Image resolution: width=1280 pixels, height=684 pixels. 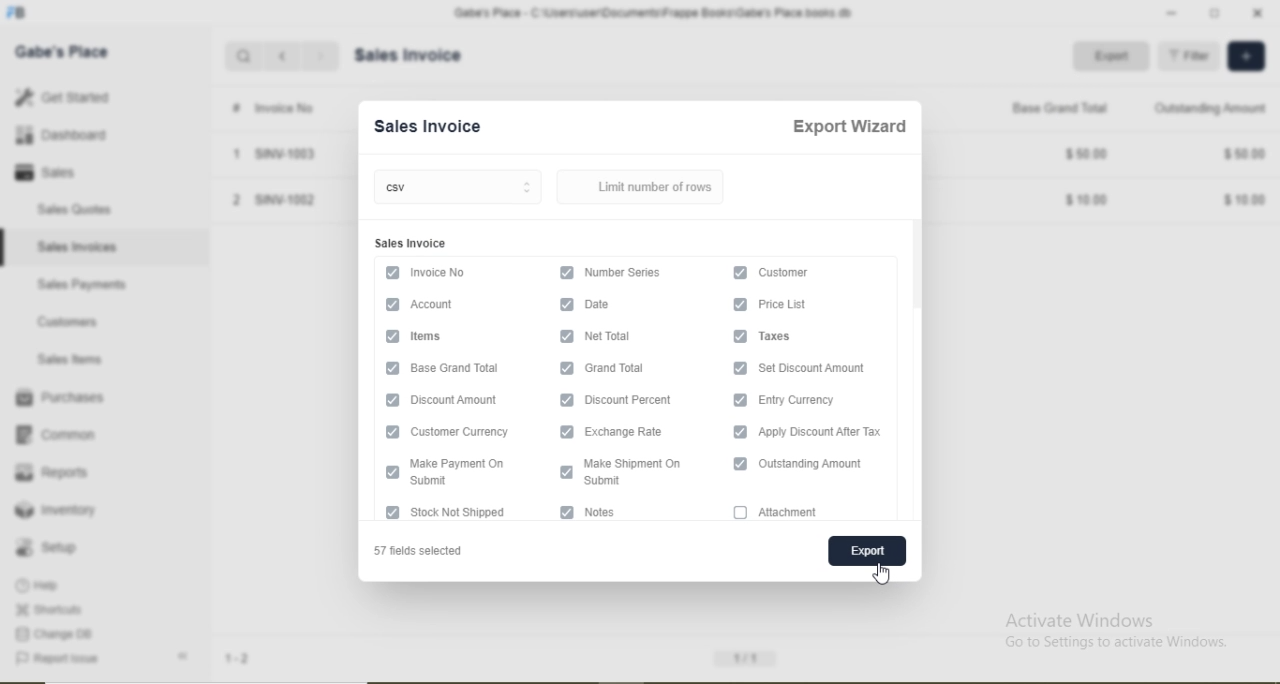 What do you see at coordinates (649, 13) in the screenshot?
I see `Gabe's Place - C\Users\useriDocuments\Frappe Books\Gabe's Place books db` at bounding box center [649, 13].